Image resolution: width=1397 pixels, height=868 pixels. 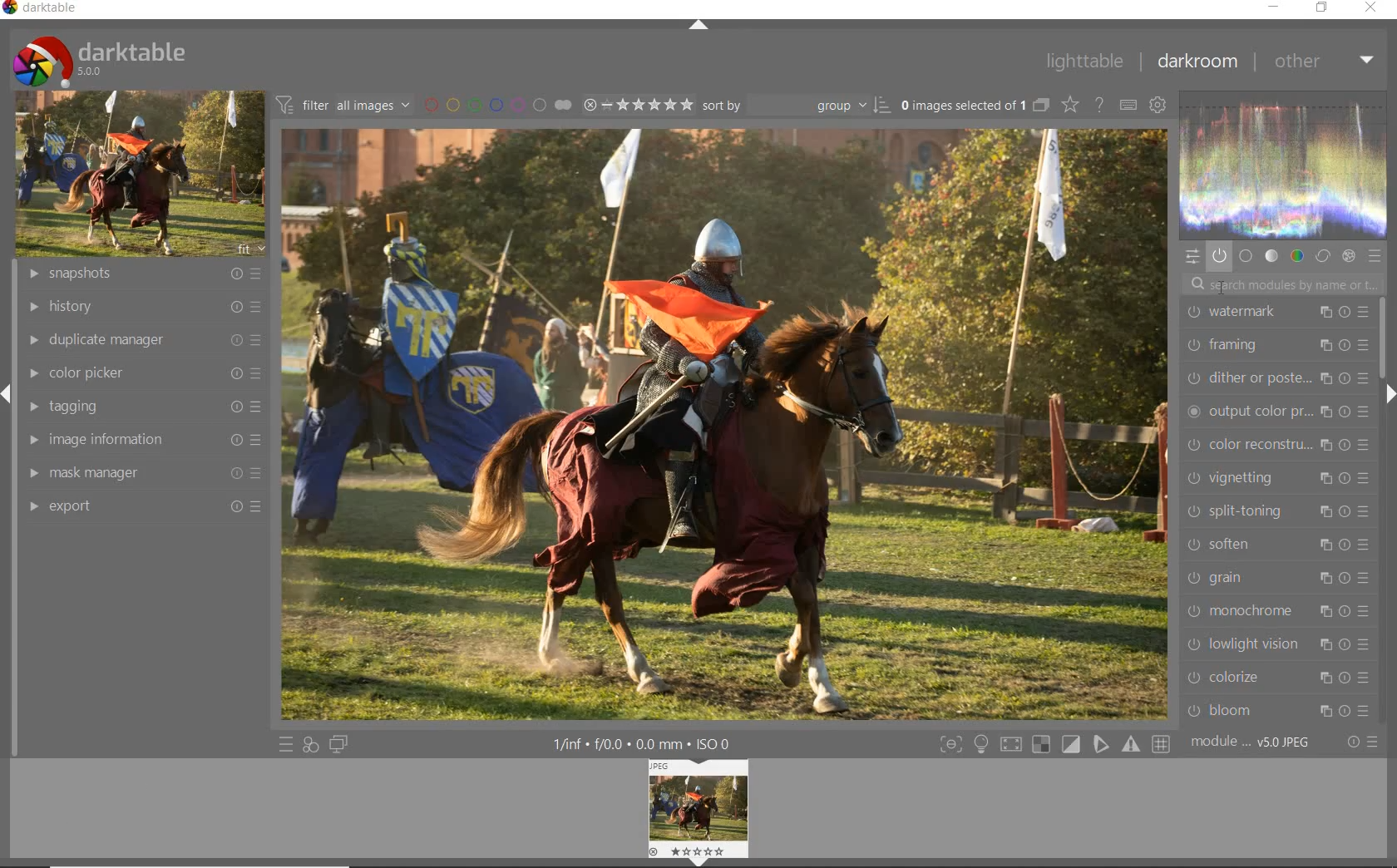 I want to click on darktable, so click(x=98, y=57).